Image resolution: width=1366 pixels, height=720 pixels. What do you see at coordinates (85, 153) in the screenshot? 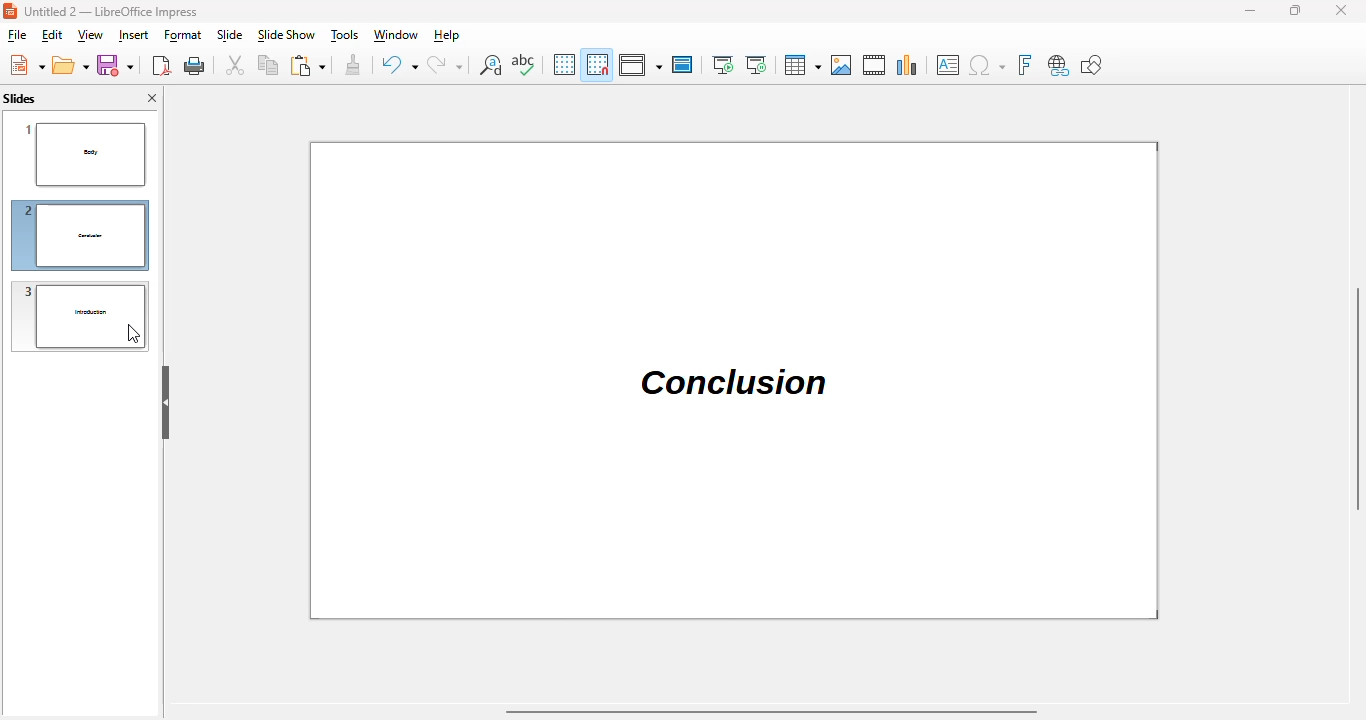
I see `slide 1` at bounding box center [85, 153].